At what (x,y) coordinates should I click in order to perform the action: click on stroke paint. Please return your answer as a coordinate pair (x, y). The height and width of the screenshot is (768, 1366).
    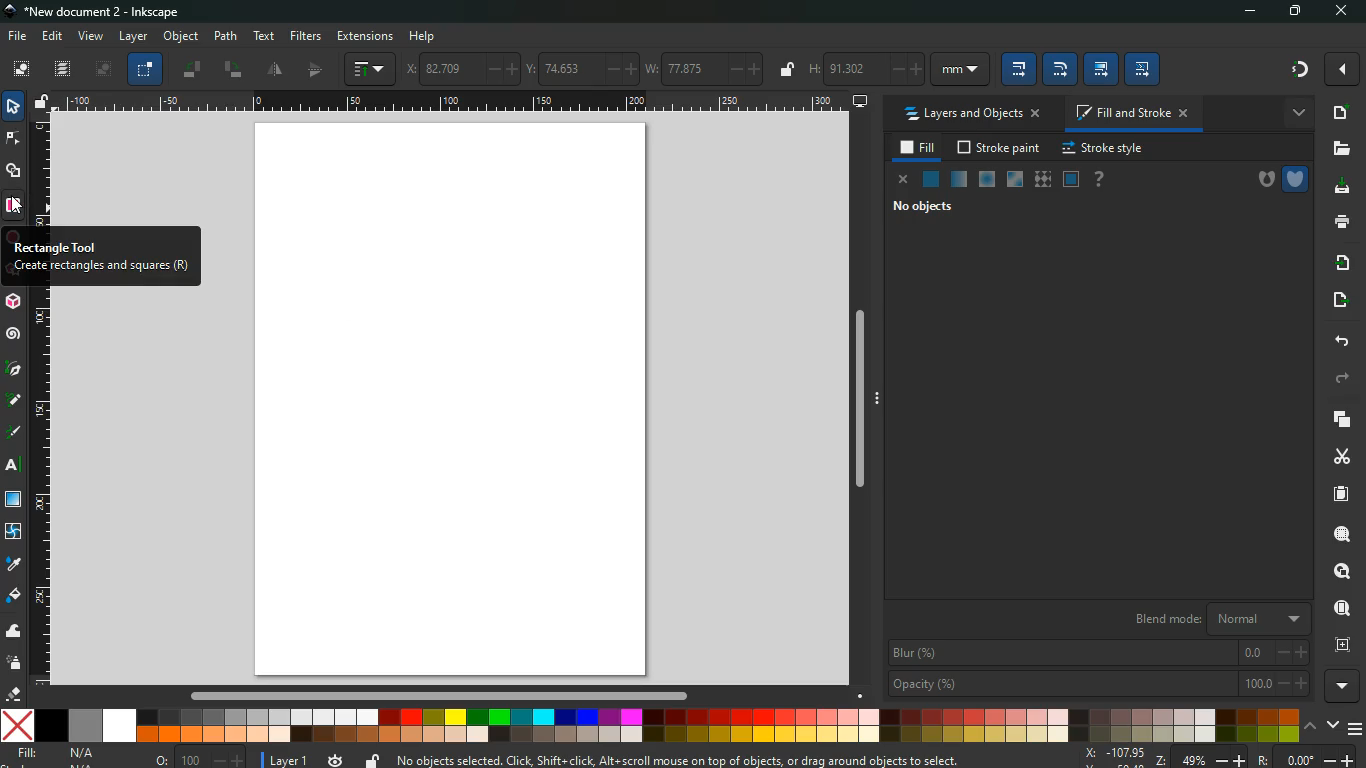
    Looking at the image, I should click on (999, 148).